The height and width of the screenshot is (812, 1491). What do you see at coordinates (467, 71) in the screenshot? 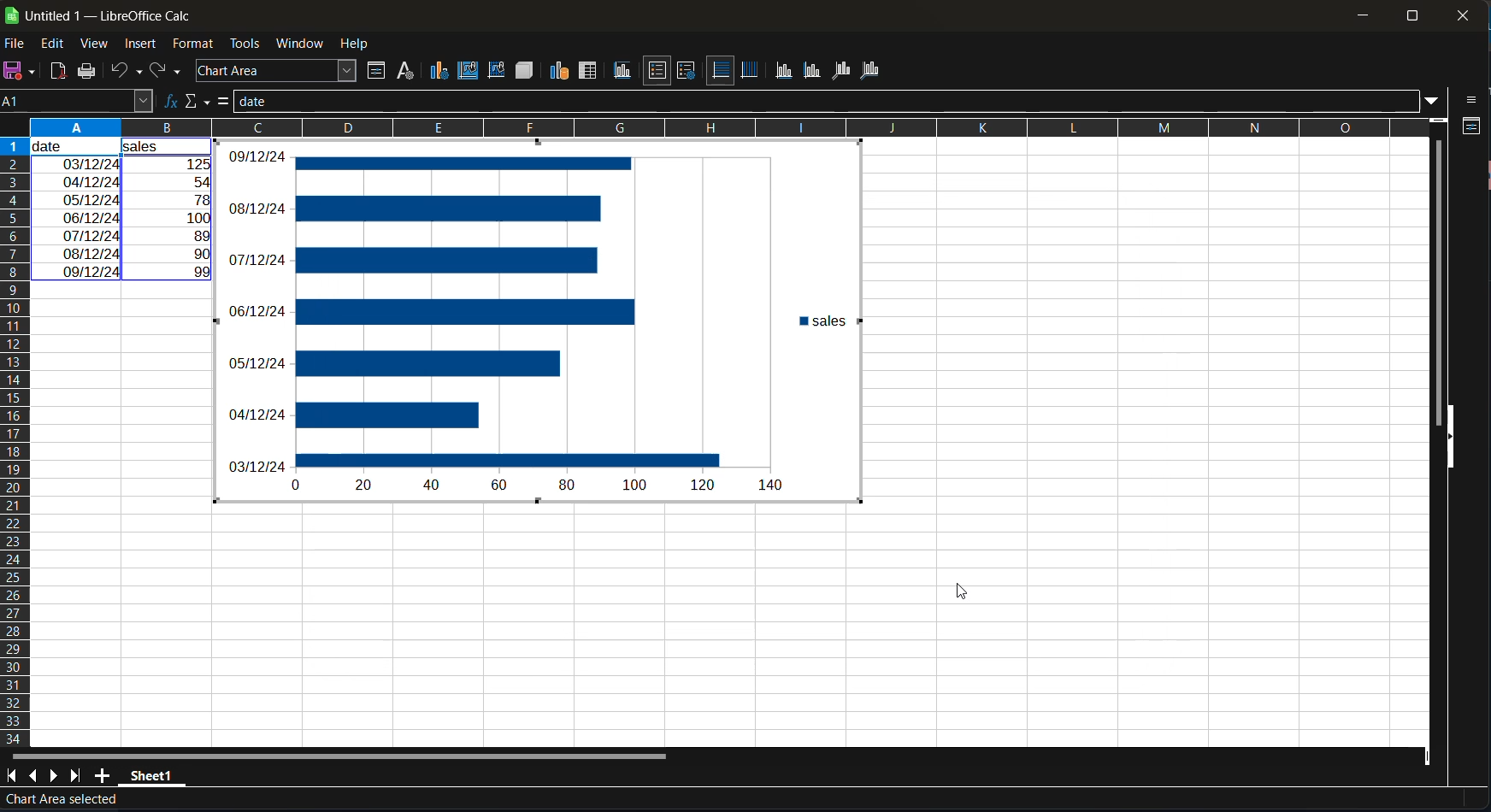
I see `chart area` at bounding box center [467, 71].